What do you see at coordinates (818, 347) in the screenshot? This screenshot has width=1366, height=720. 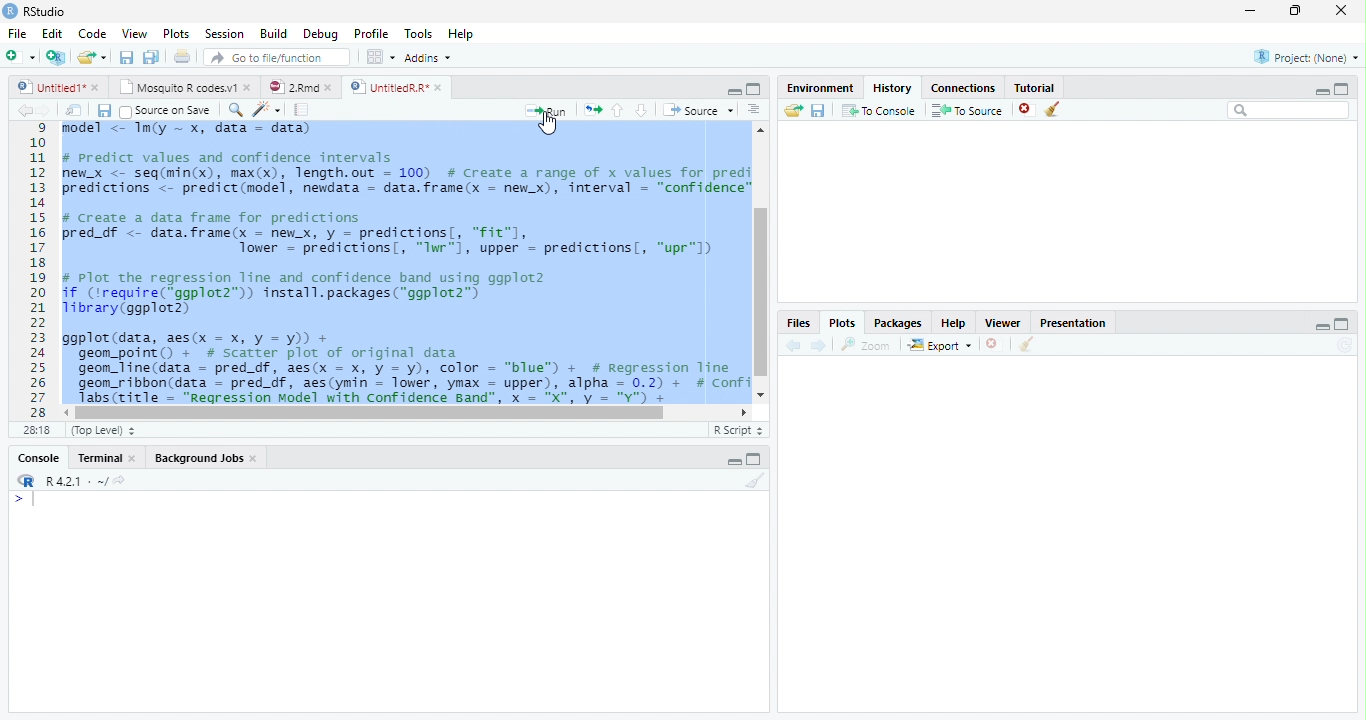 I see `Next` at bounding box center [818, 347].